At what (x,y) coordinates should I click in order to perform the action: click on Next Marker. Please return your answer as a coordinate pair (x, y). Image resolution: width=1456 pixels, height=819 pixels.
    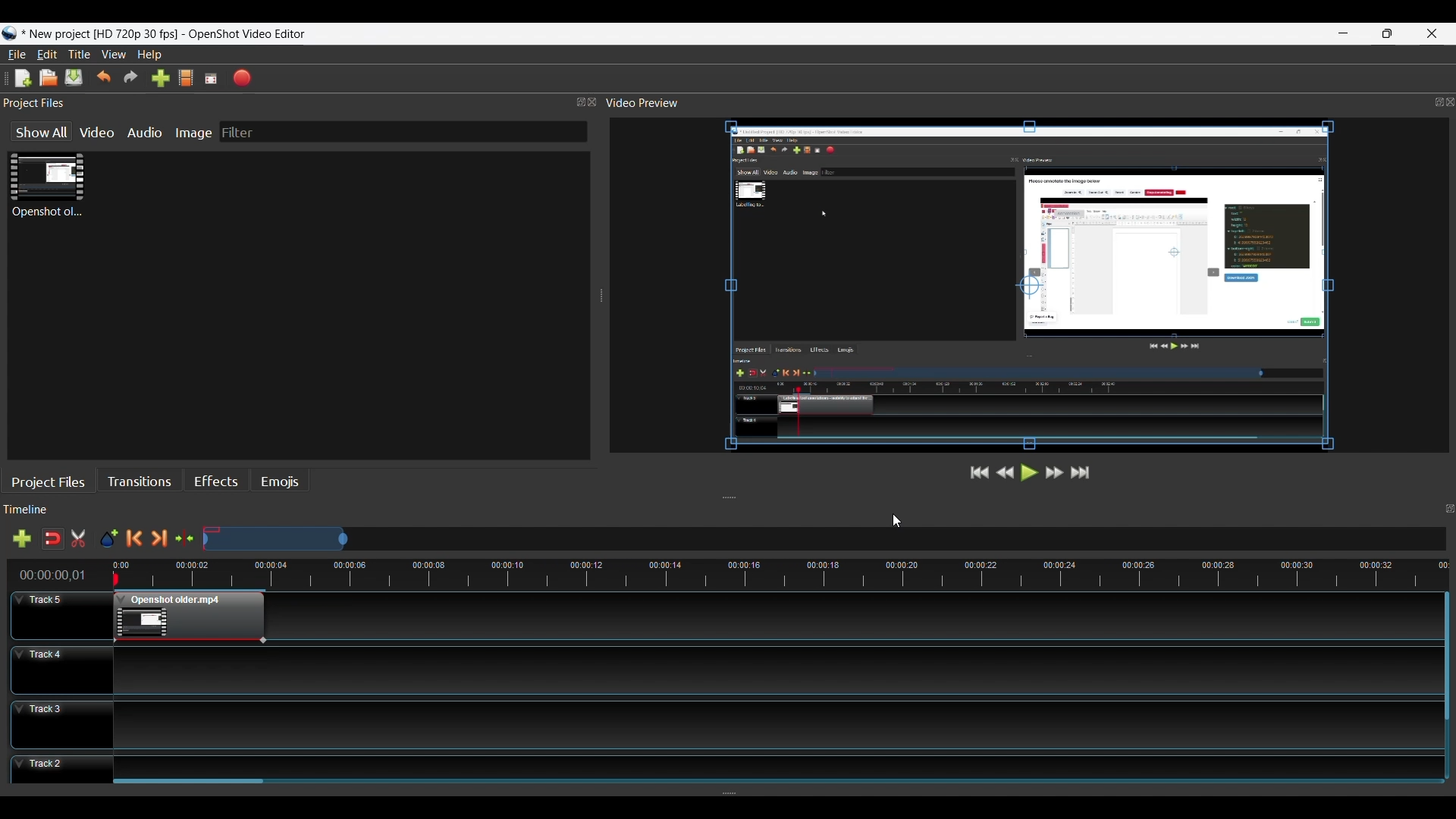
    Looking at the image, I should click on (158, 539).